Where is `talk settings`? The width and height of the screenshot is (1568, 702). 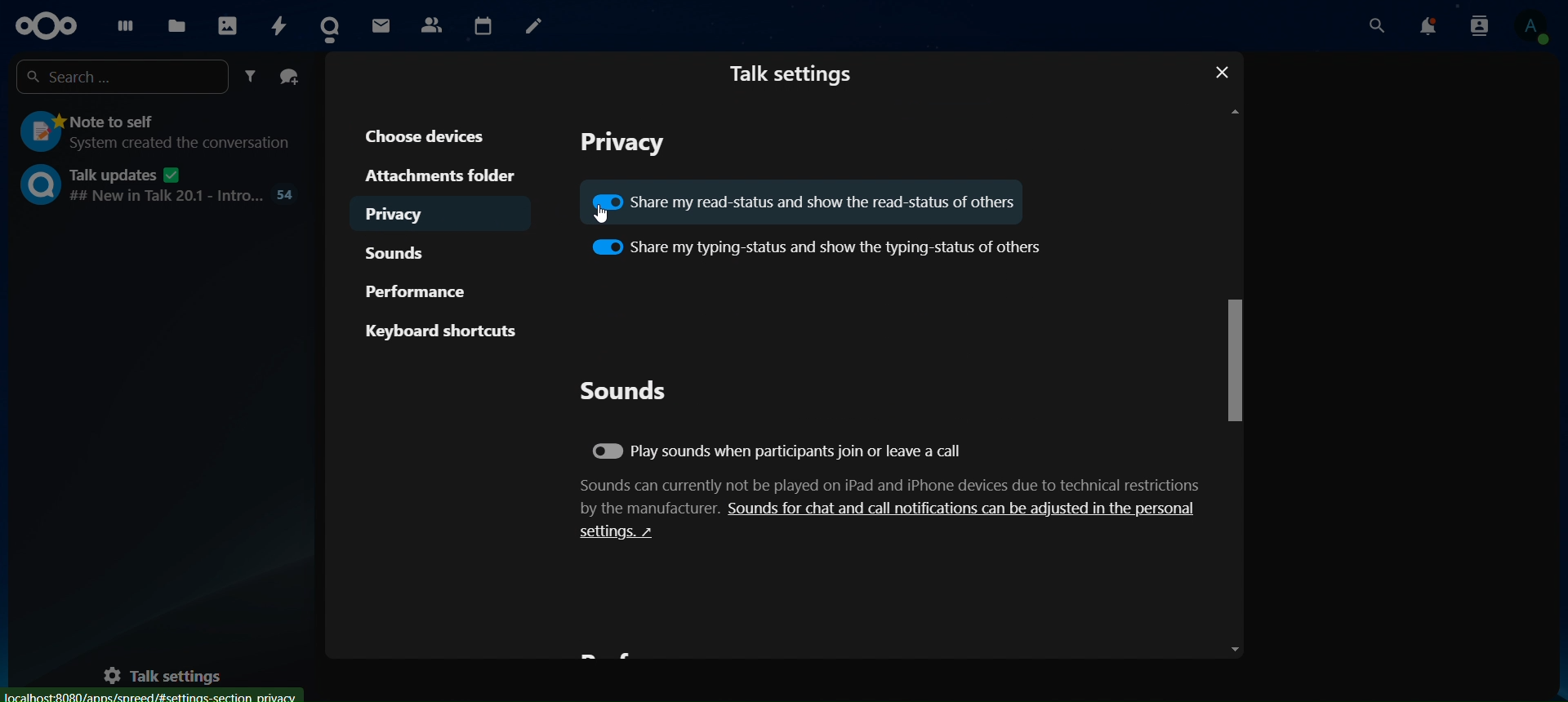
talk settings is located at coordinates (173, 672).